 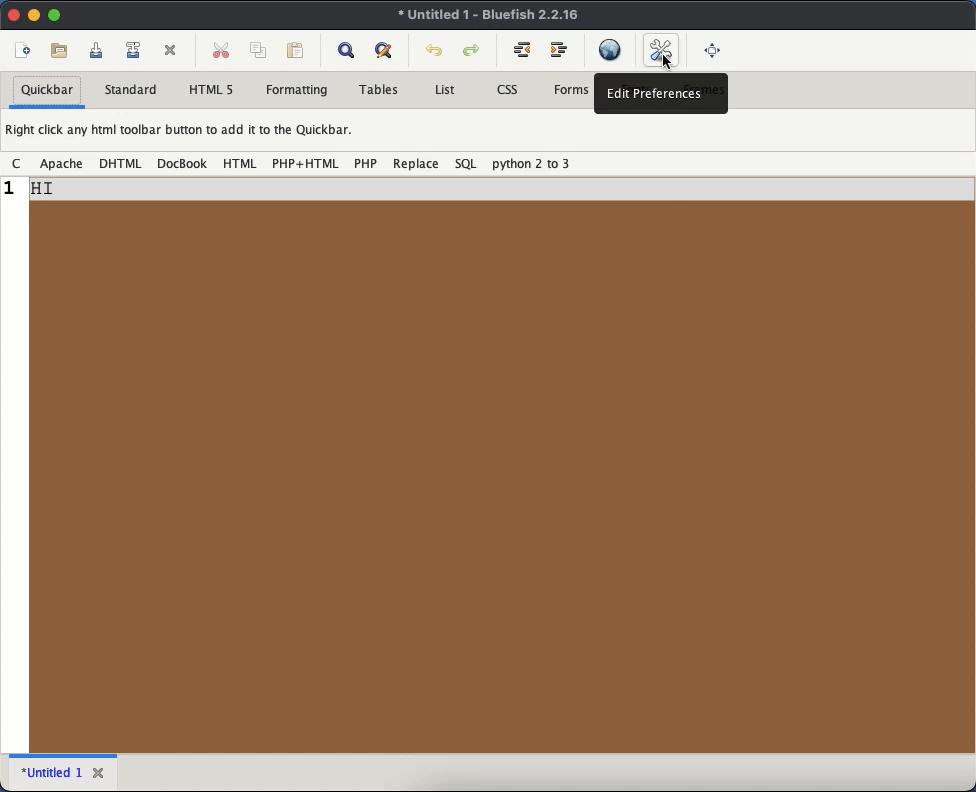 I want to click on python 2 to 3, so click(x=531, y=164).